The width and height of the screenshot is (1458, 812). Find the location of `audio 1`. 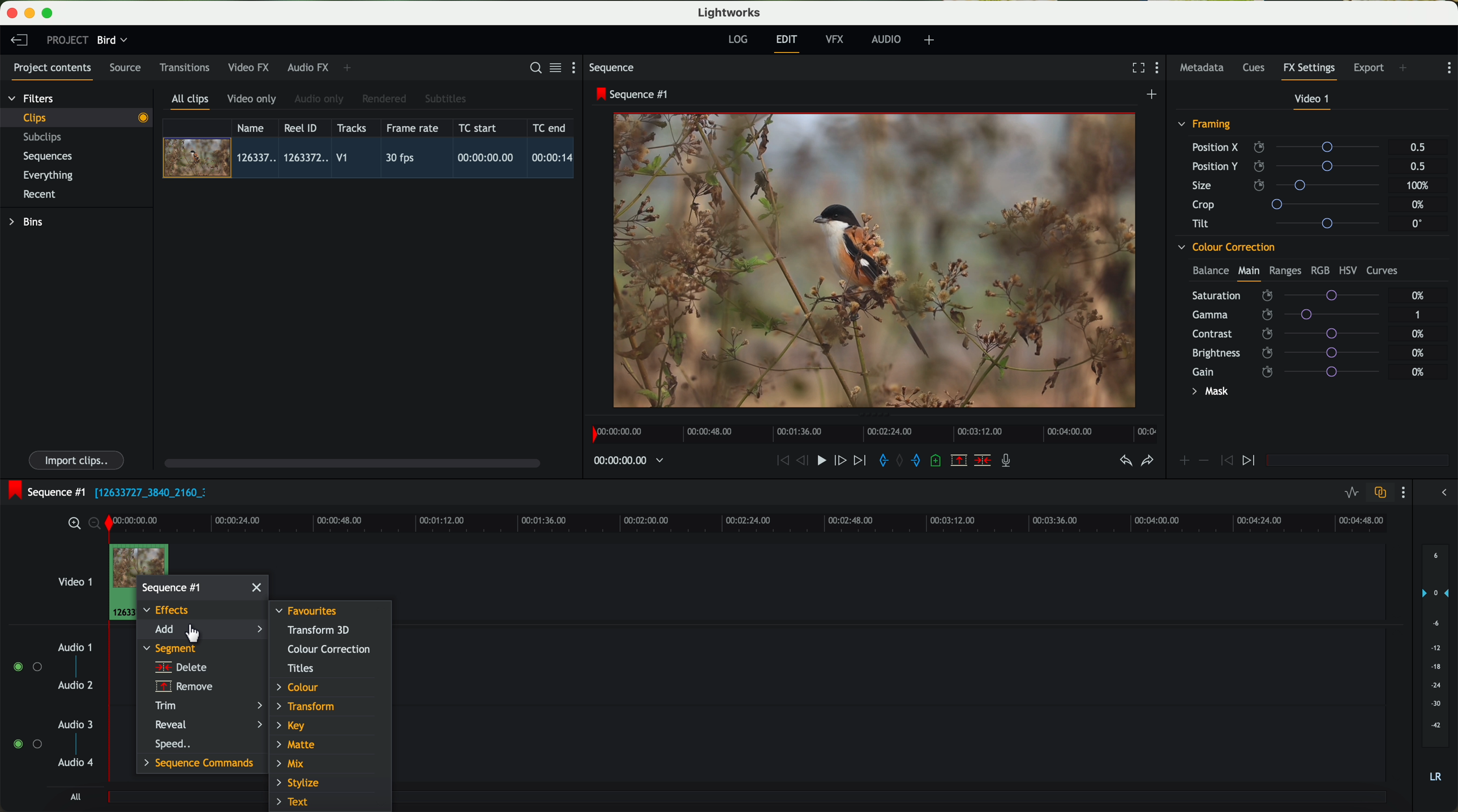

audio 1 is located at coordinates (75, 647).